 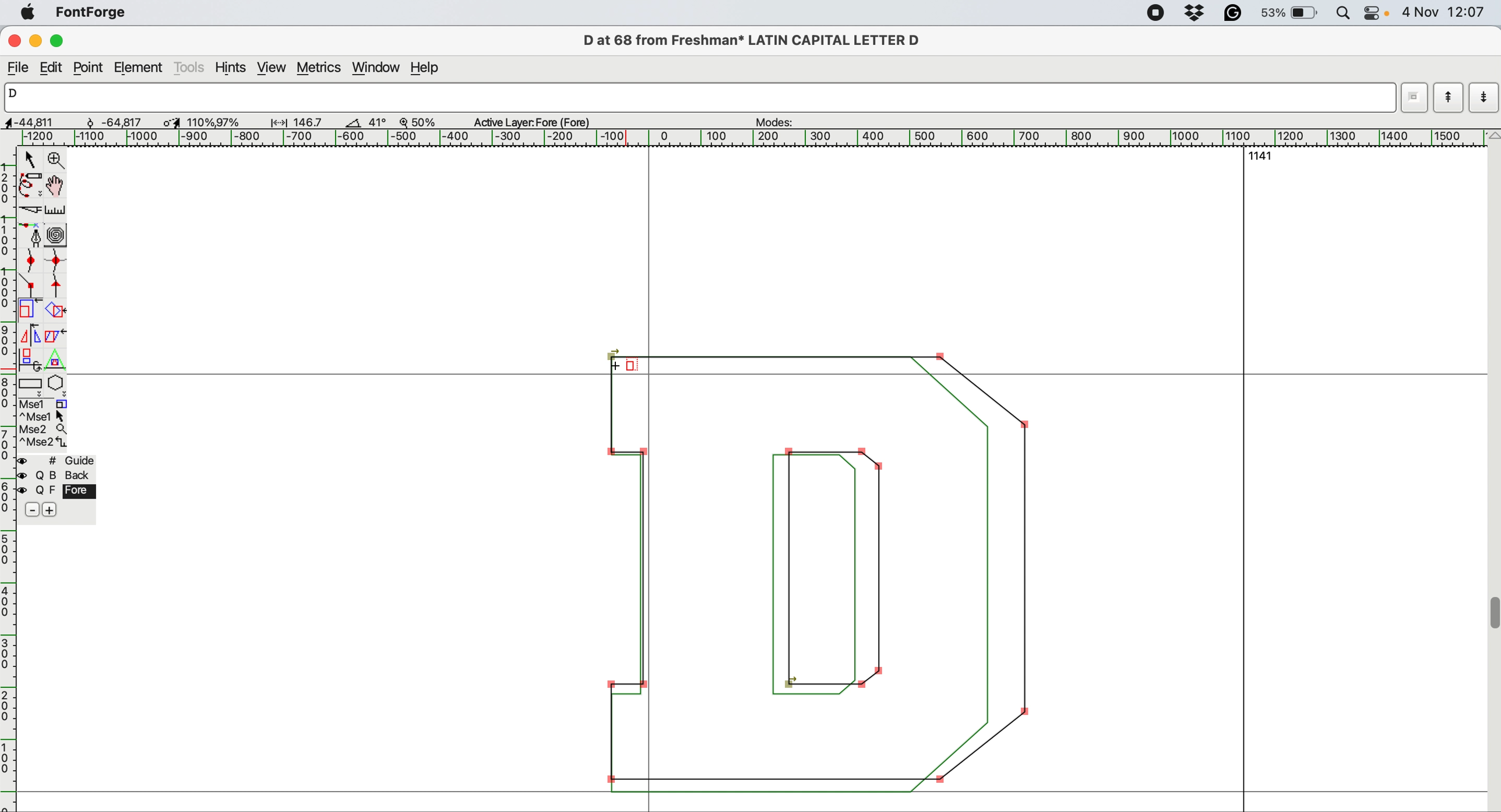 I want to click on measure distance between points, so click(x=56, y=211).